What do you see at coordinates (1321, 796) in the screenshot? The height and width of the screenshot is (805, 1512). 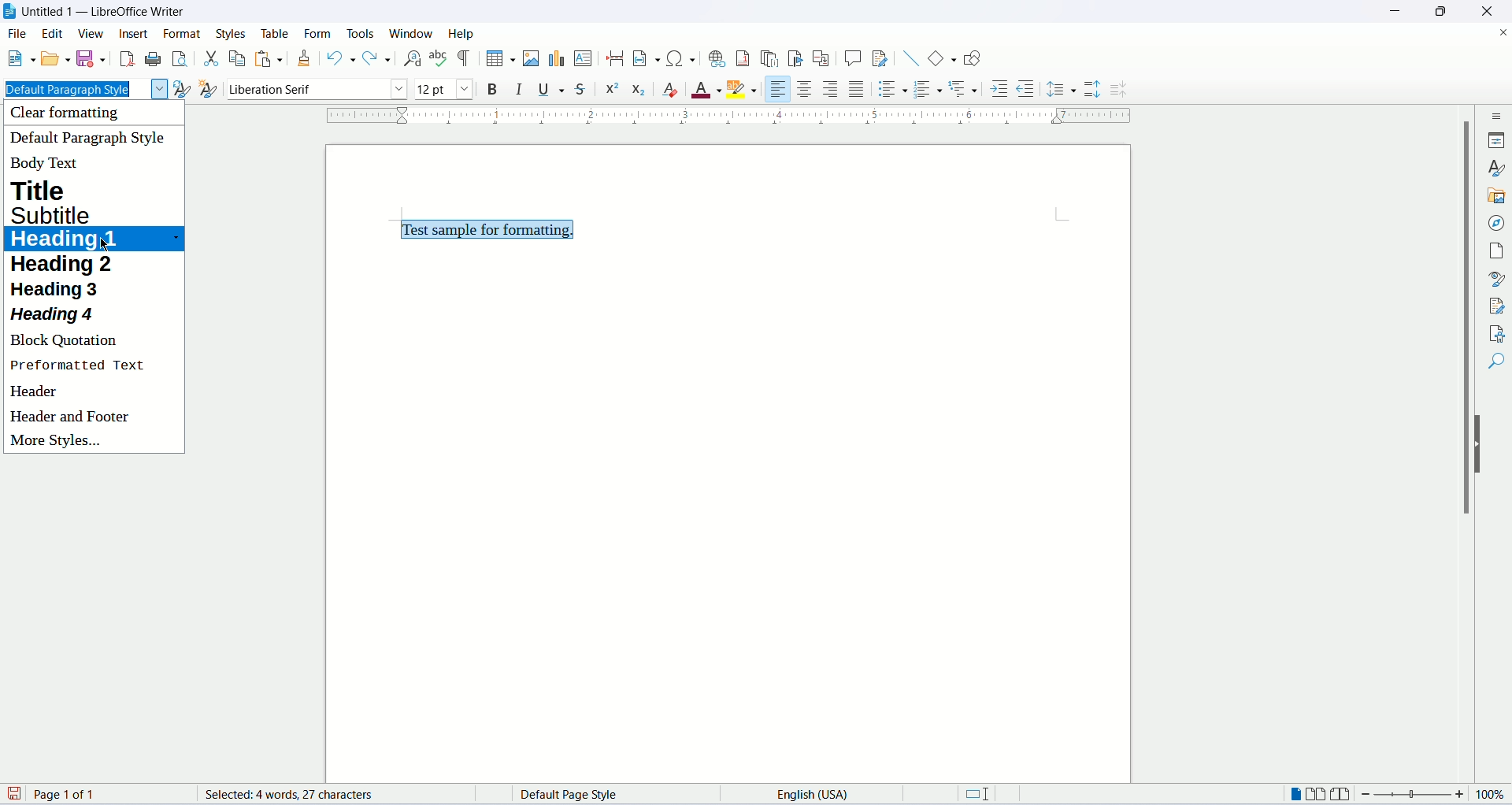 I see `multiple page view` at bounding box center [1321, 796].